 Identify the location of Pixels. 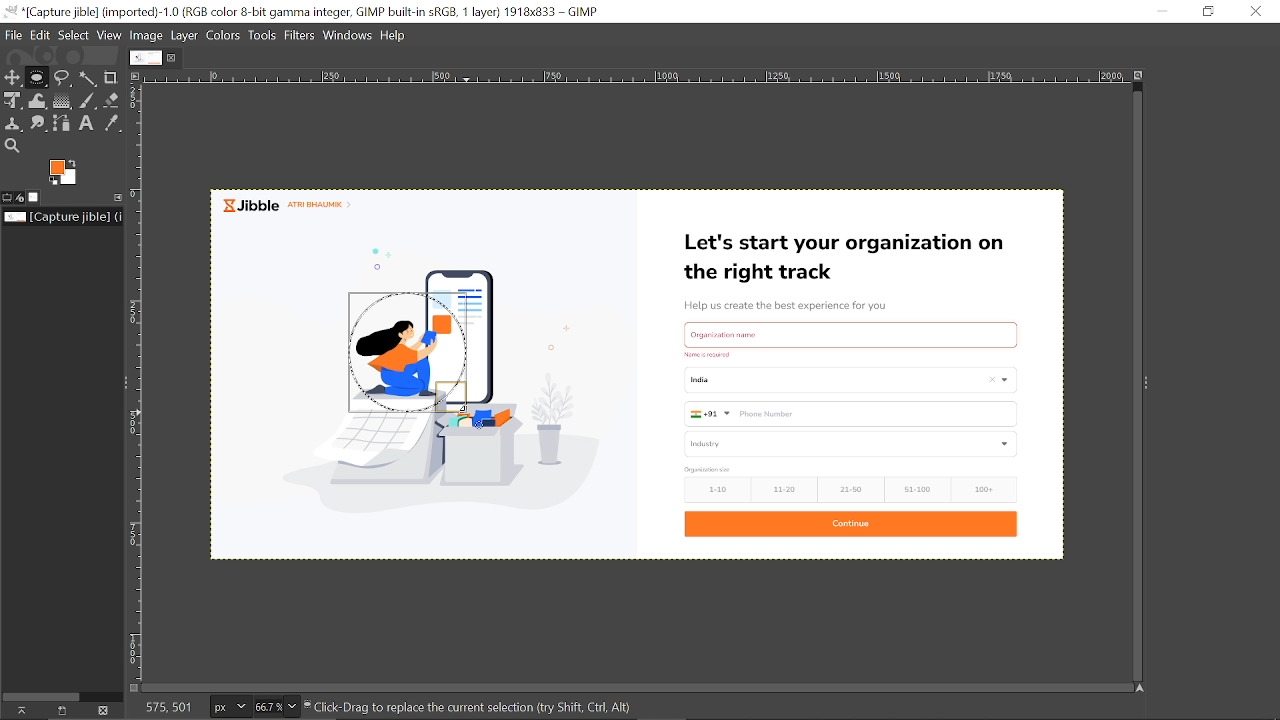
(227, 708).